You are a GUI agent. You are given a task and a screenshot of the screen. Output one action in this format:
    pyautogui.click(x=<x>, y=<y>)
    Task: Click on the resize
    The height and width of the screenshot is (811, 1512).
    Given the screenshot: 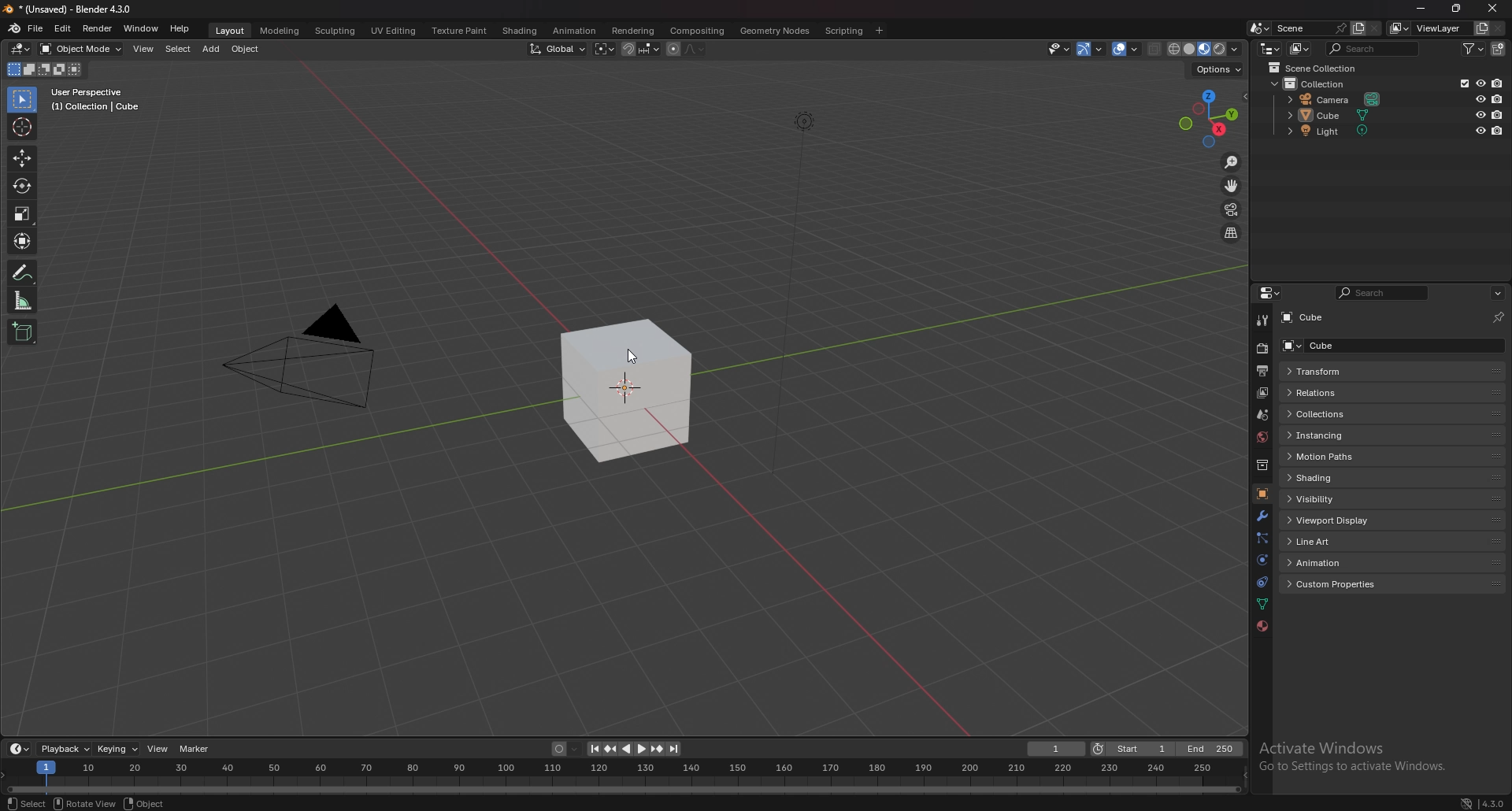 What is the action you would take?
    pyautogui.click(x=1458, y=8)
    